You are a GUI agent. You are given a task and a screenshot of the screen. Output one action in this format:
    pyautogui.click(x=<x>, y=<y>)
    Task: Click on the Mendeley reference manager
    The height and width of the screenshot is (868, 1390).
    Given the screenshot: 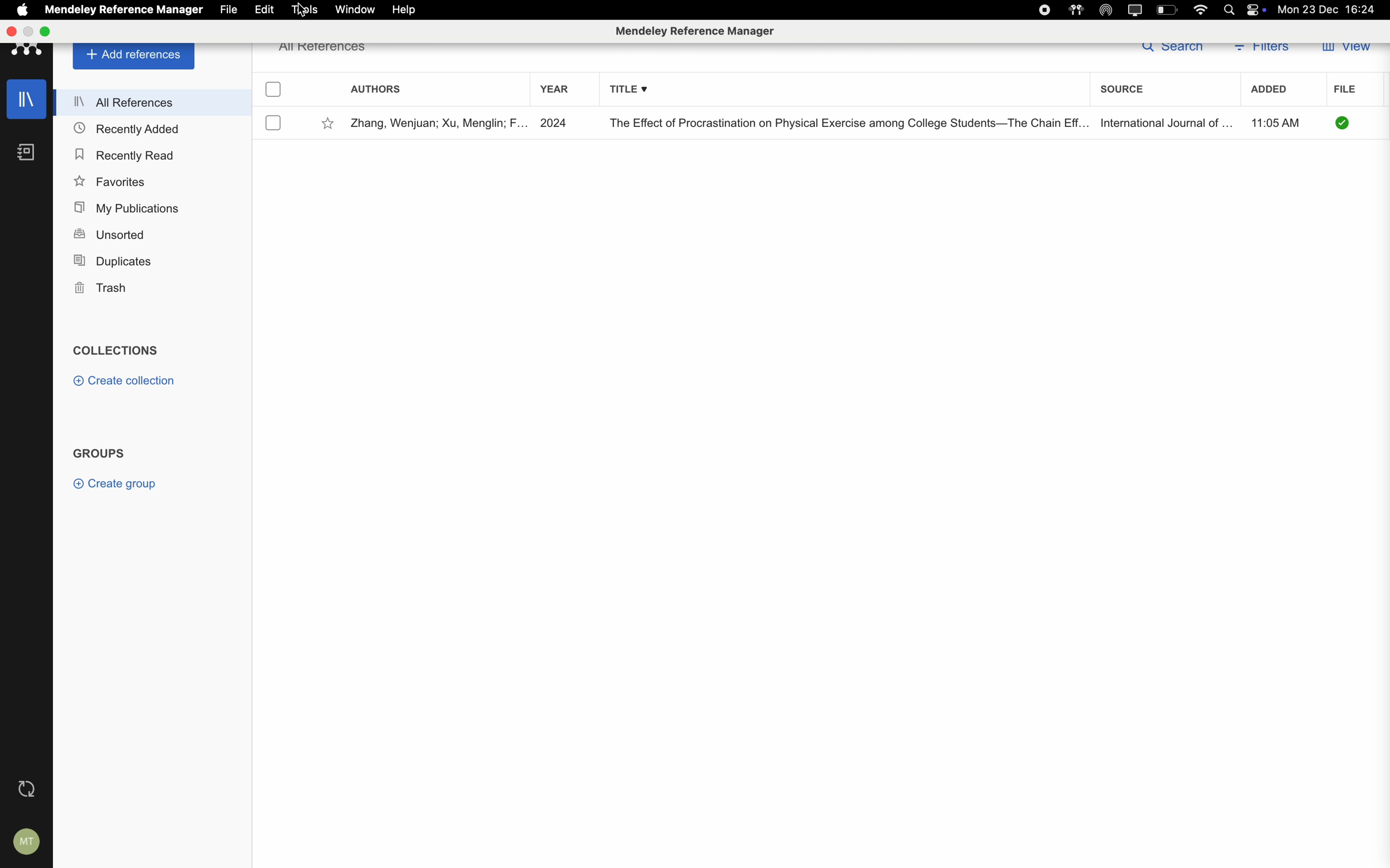 What is the action you would take?
    pyautogui.click(x=693, y=31)
    